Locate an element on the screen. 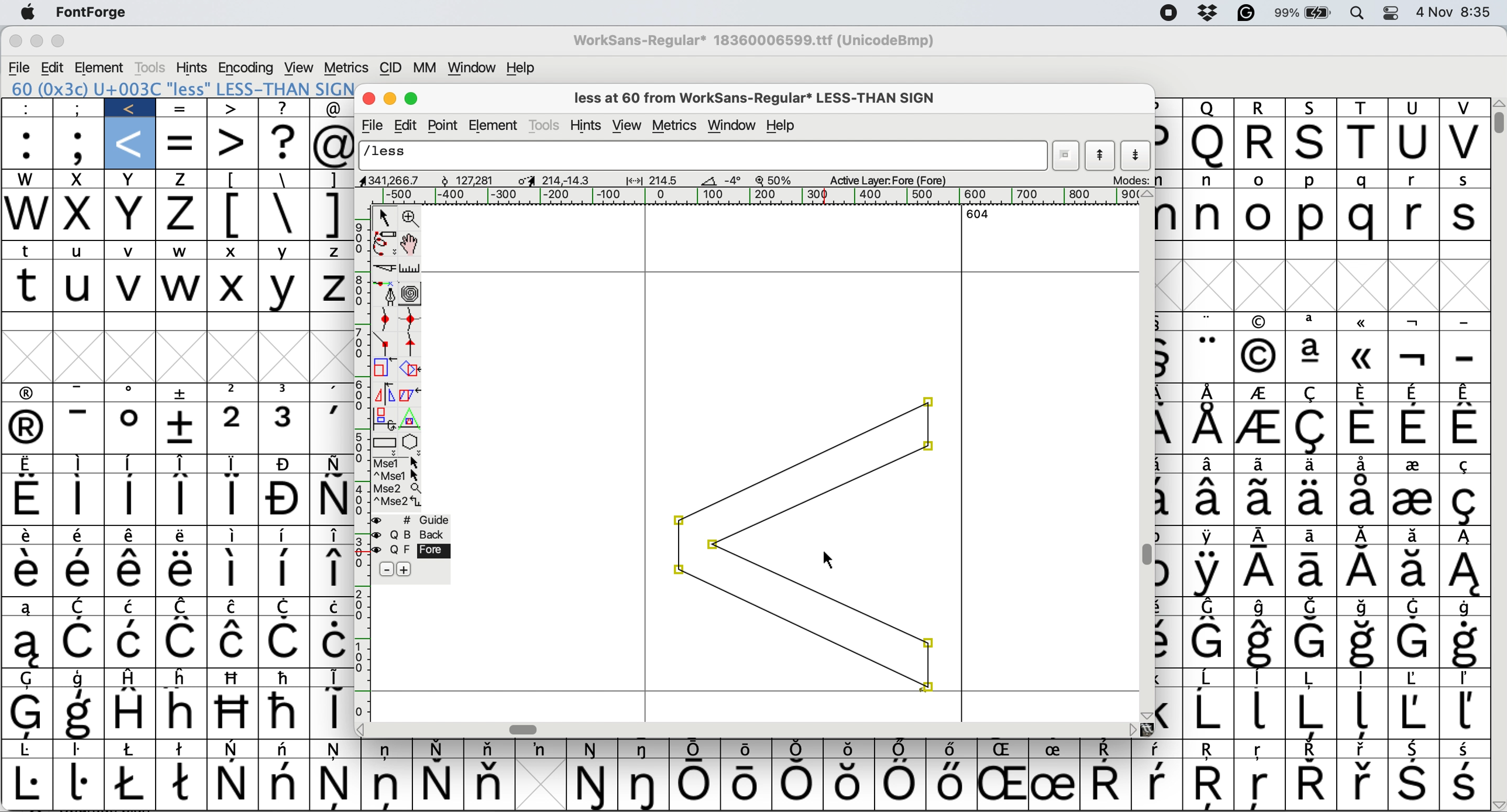  t is located at coordinates (1364, 108).